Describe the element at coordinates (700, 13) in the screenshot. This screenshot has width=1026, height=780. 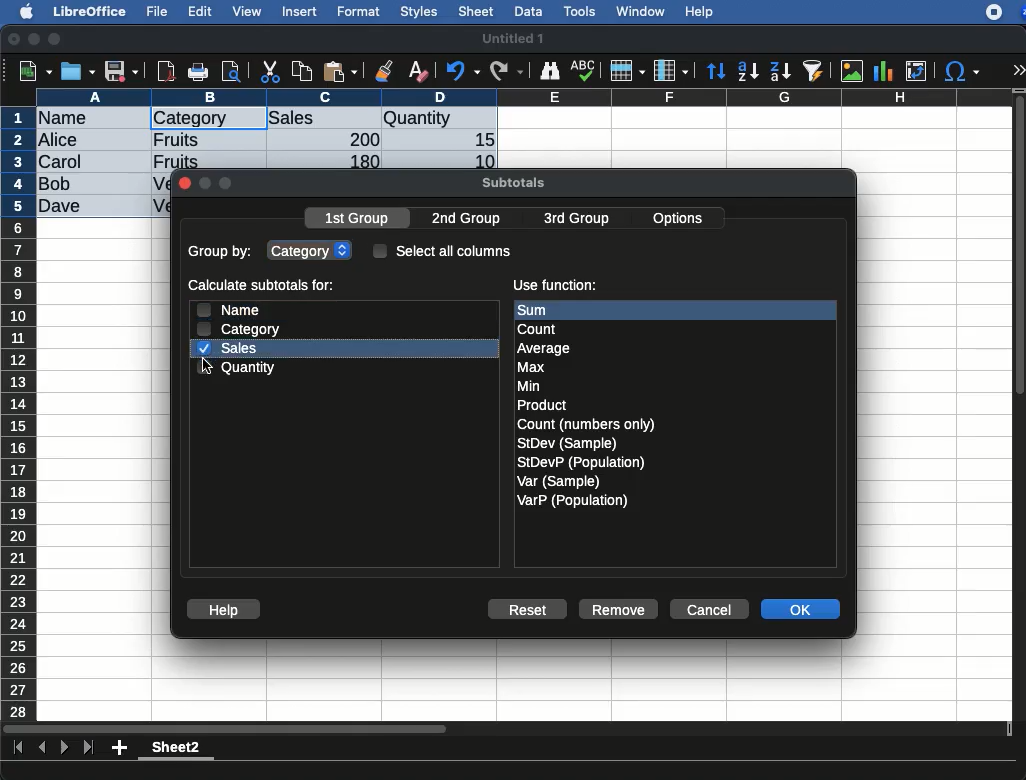
I see `help` at that location.